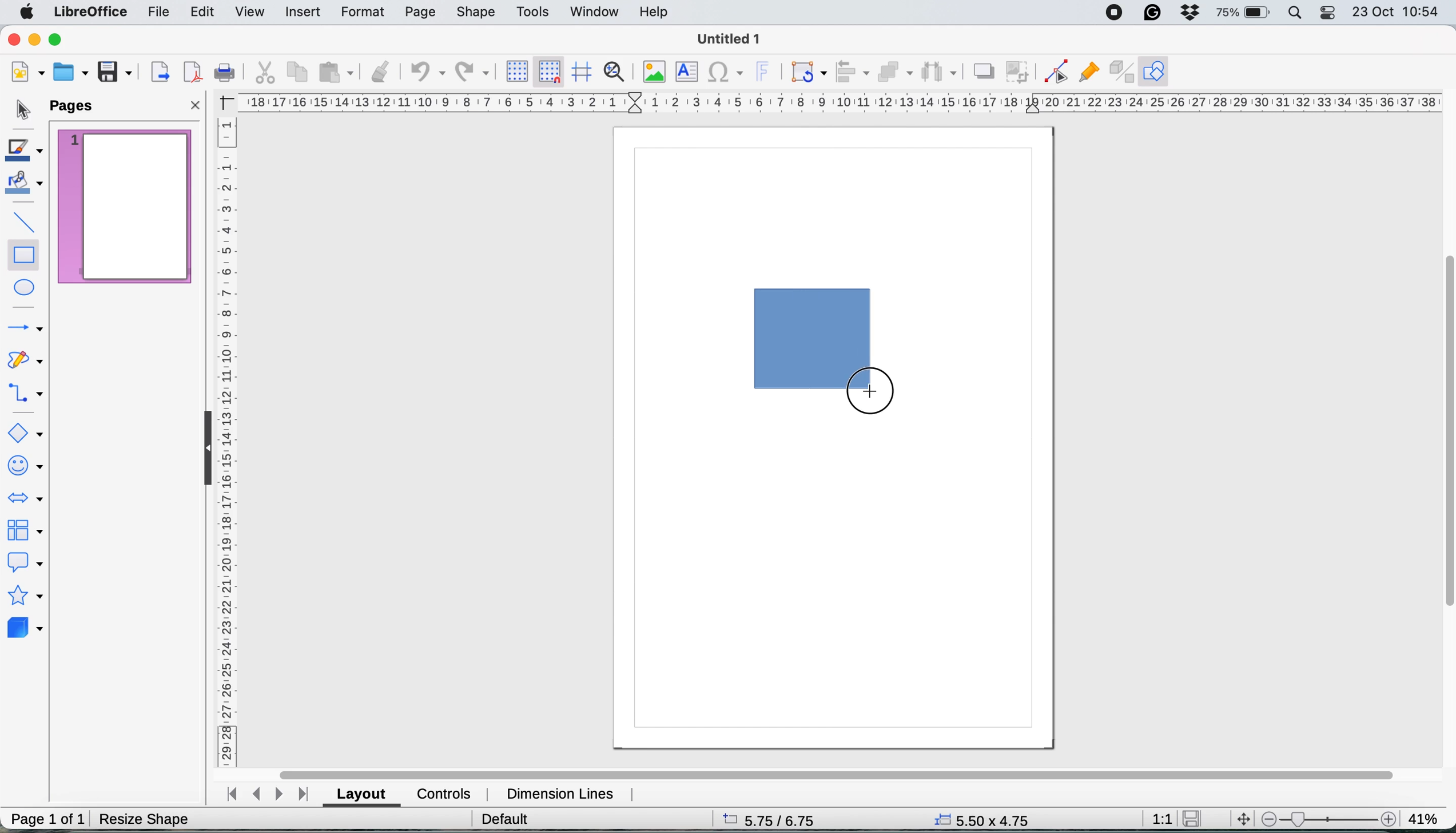 The image size is (1456, 833). I want to click on curves and polygons, so click(27, 363).